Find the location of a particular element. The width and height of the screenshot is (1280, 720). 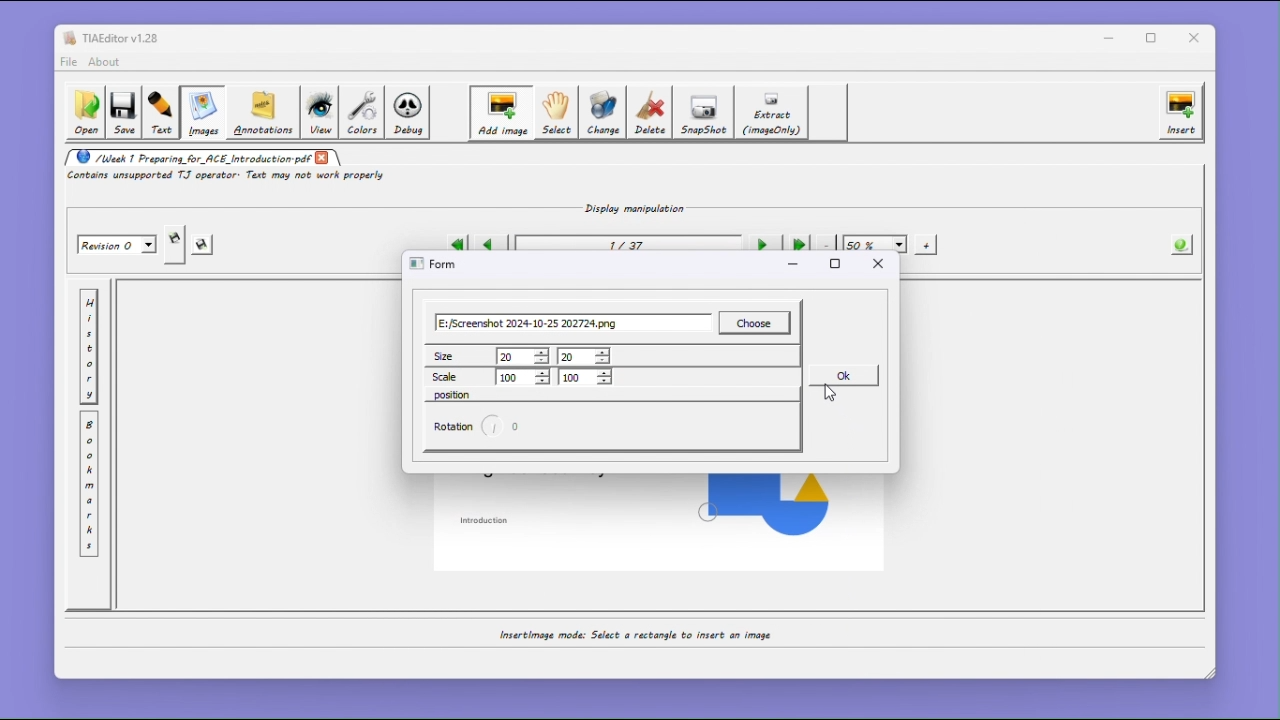

TIAEditor v1.28 is located at coordinates (111, 37).